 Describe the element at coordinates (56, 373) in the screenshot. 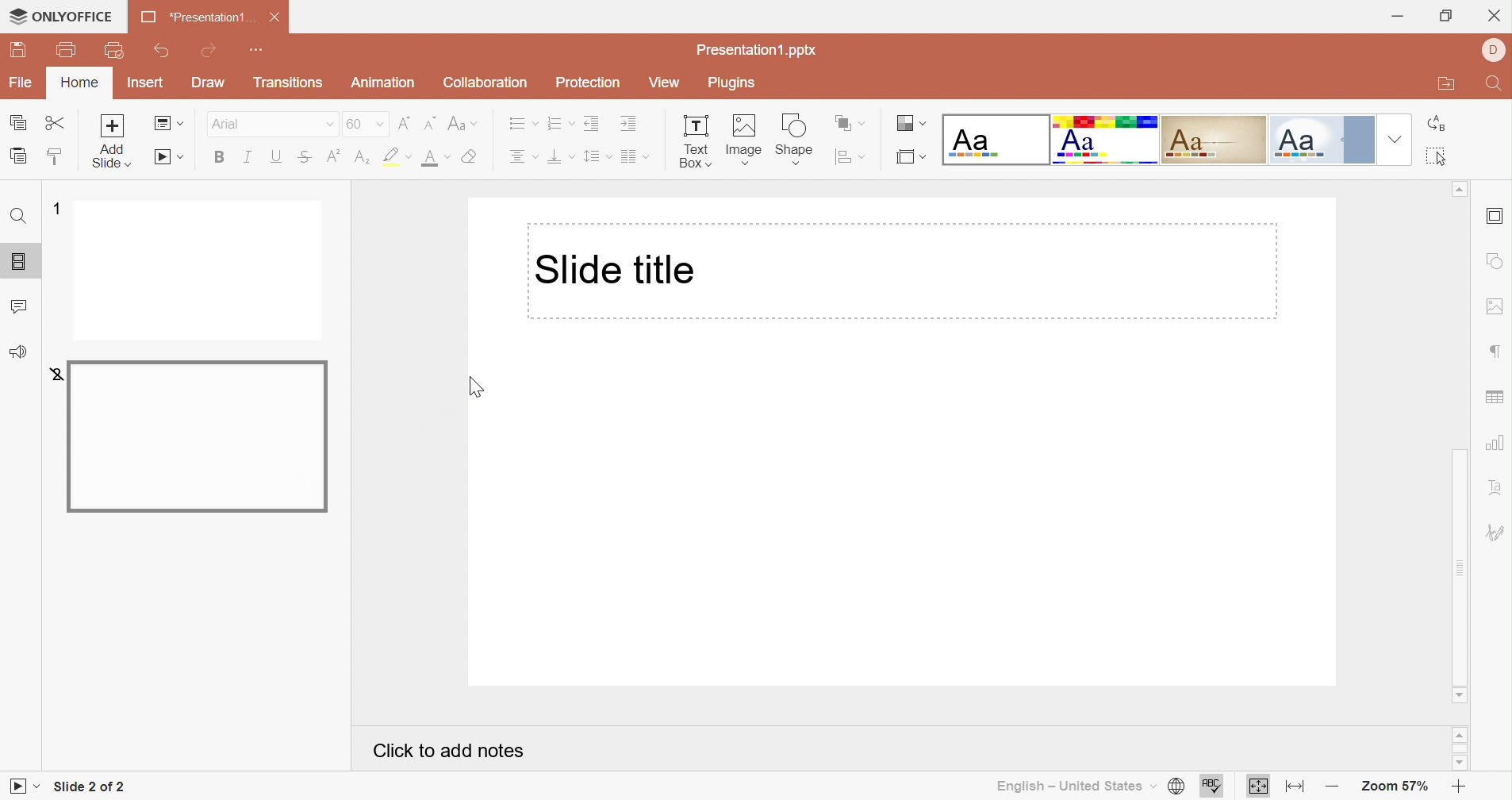

I see `2` at that location.